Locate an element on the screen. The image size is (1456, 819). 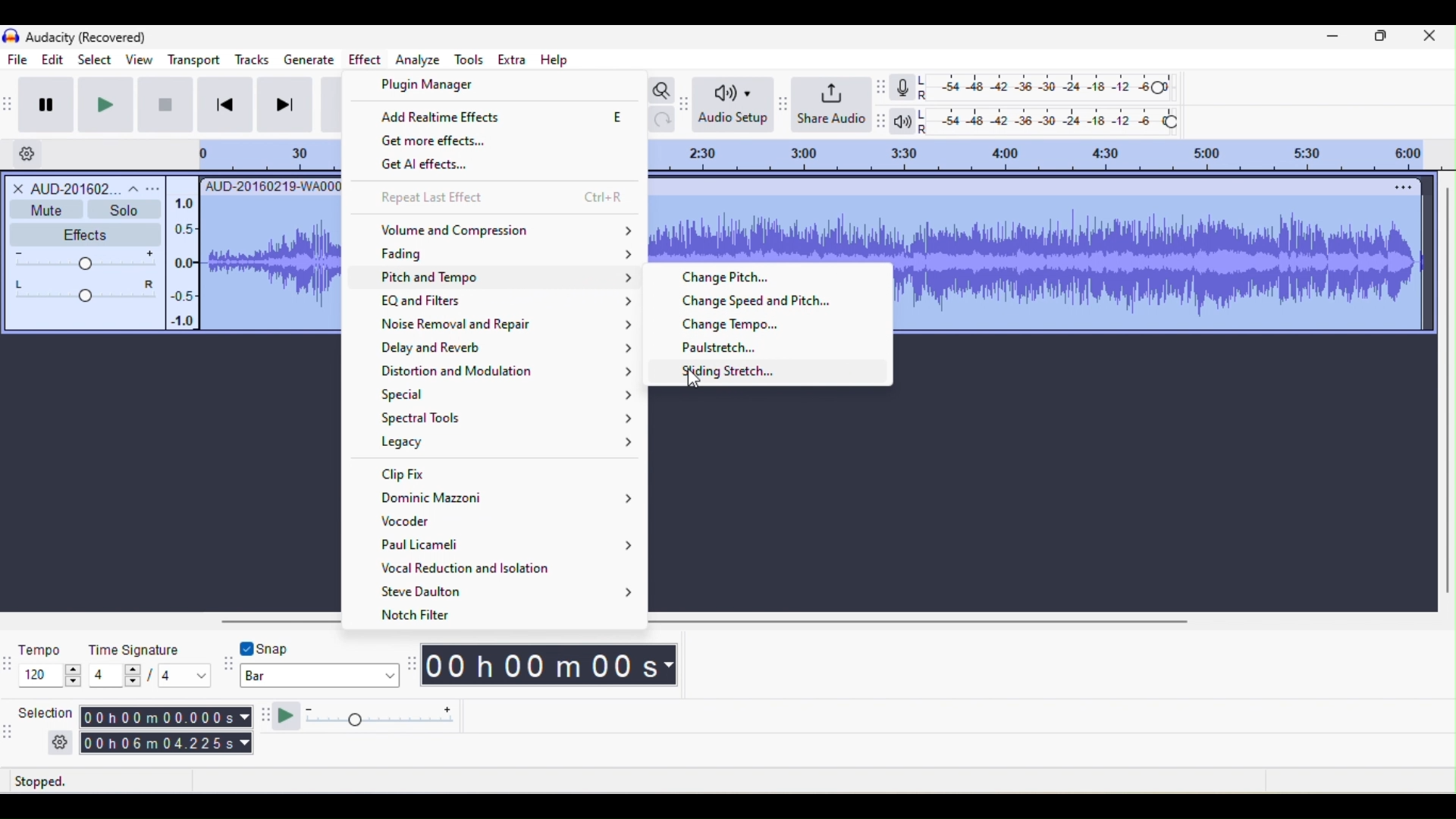
Options is located at coordinates (1396, 186).